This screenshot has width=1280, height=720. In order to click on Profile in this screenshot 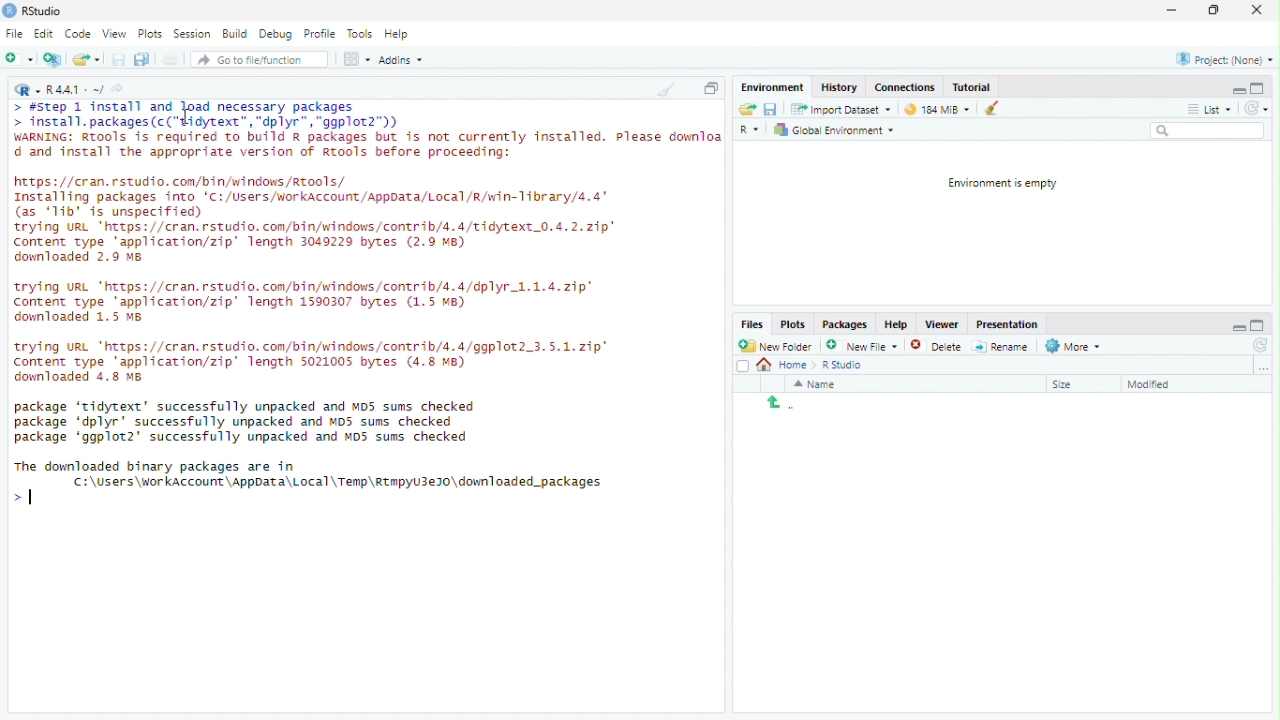, I will do `click(319, 33)`.